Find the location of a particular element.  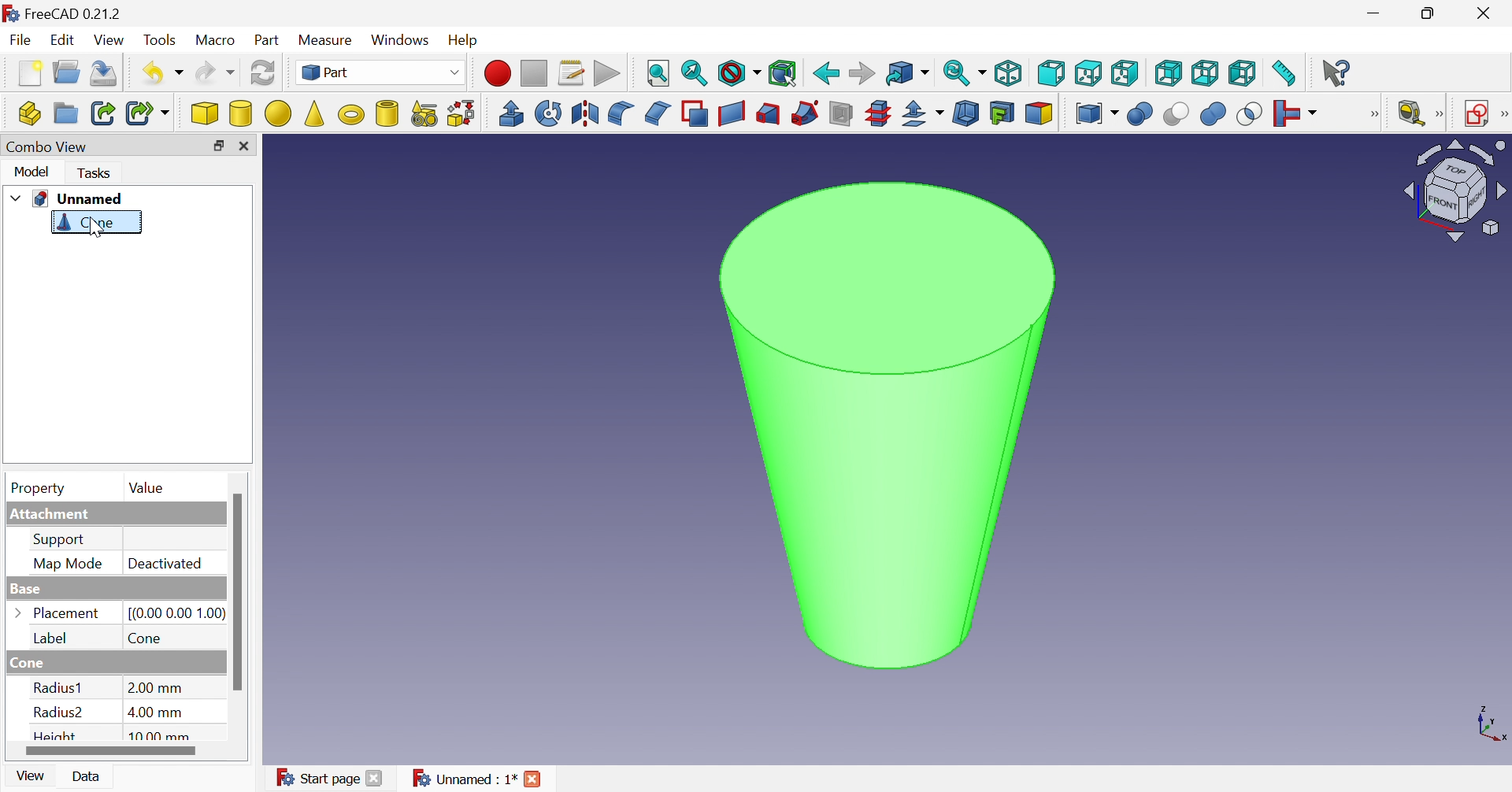

Measure liner is located at coordinates (1412, 114).